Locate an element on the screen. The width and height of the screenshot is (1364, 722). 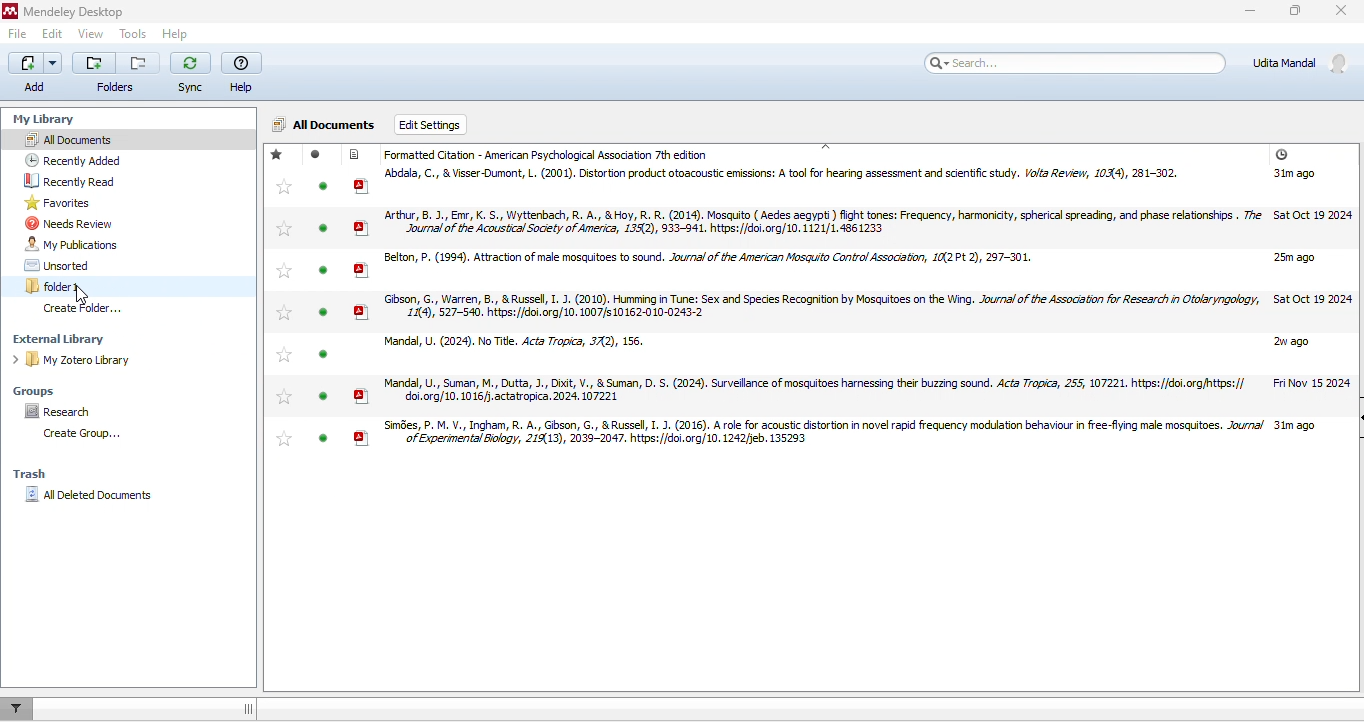
close is located at coordinates (1344, 13).